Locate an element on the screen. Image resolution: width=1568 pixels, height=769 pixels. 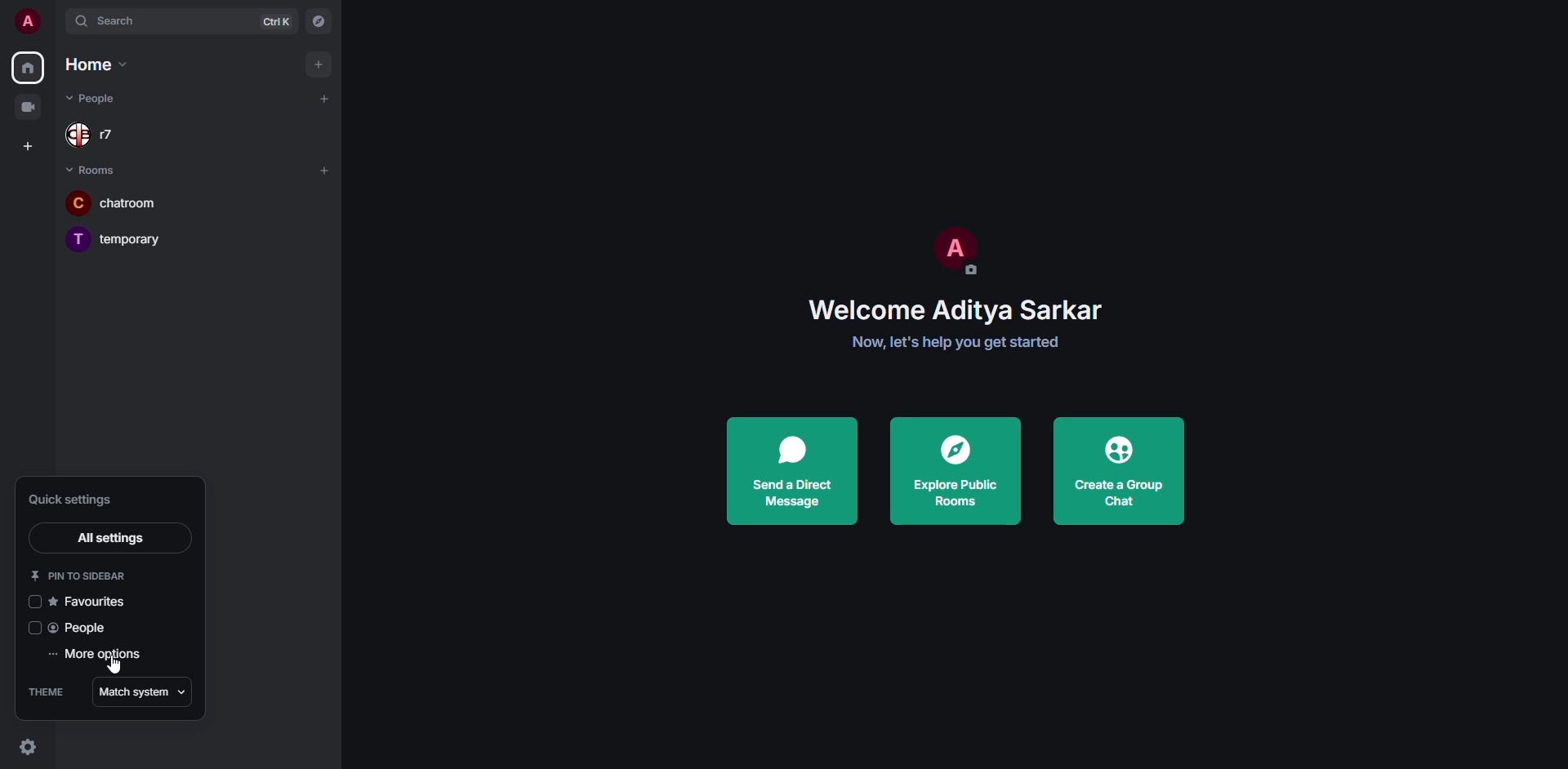
add is located at coordinates (326, 172).